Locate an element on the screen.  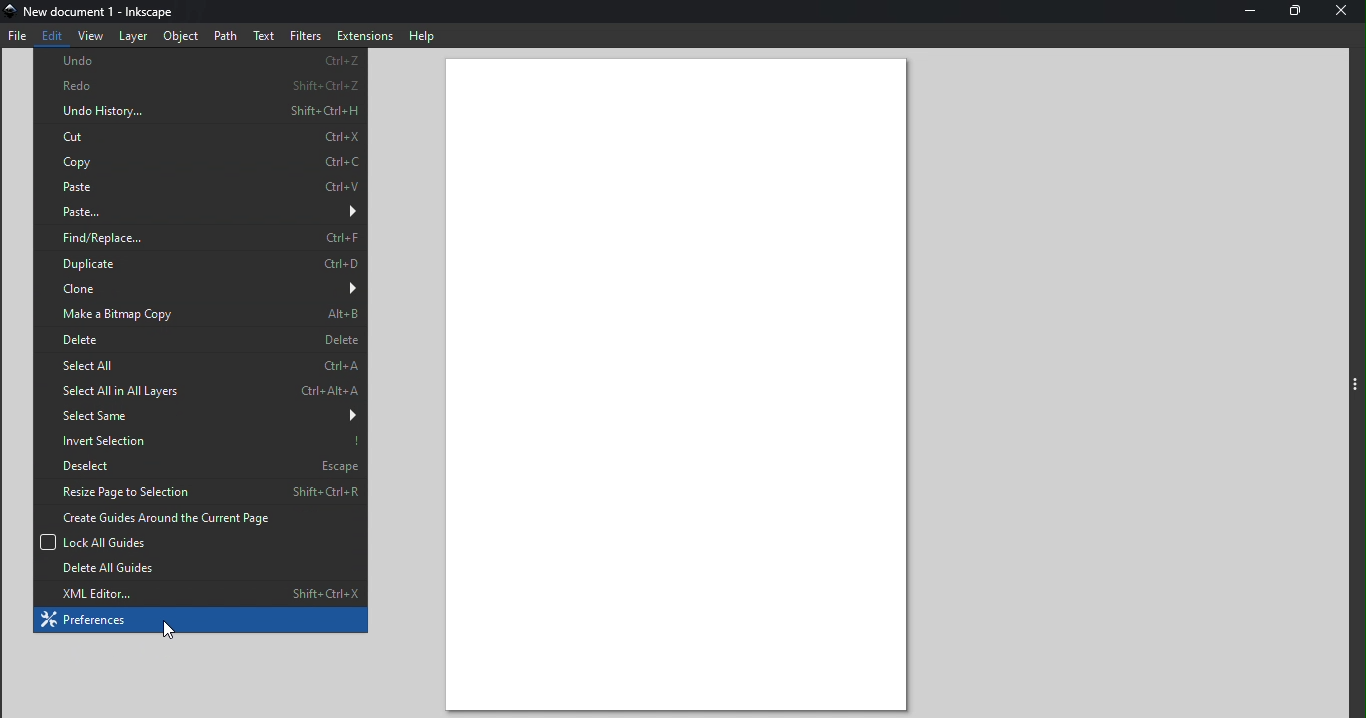
Filters is located at coordinates (305, 35).